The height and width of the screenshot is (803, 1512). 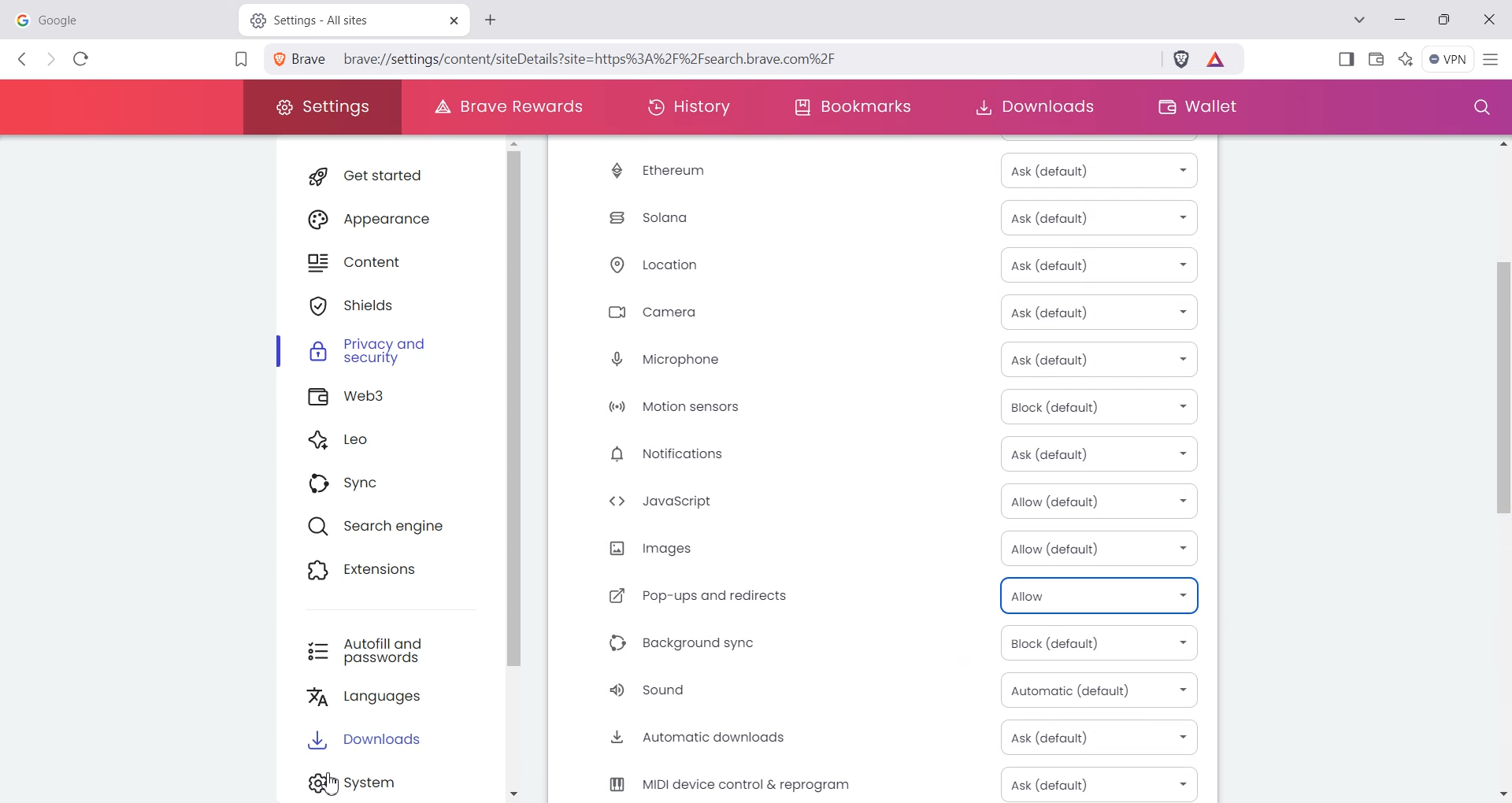 I want to click on Back, so click(x=24, y=59).